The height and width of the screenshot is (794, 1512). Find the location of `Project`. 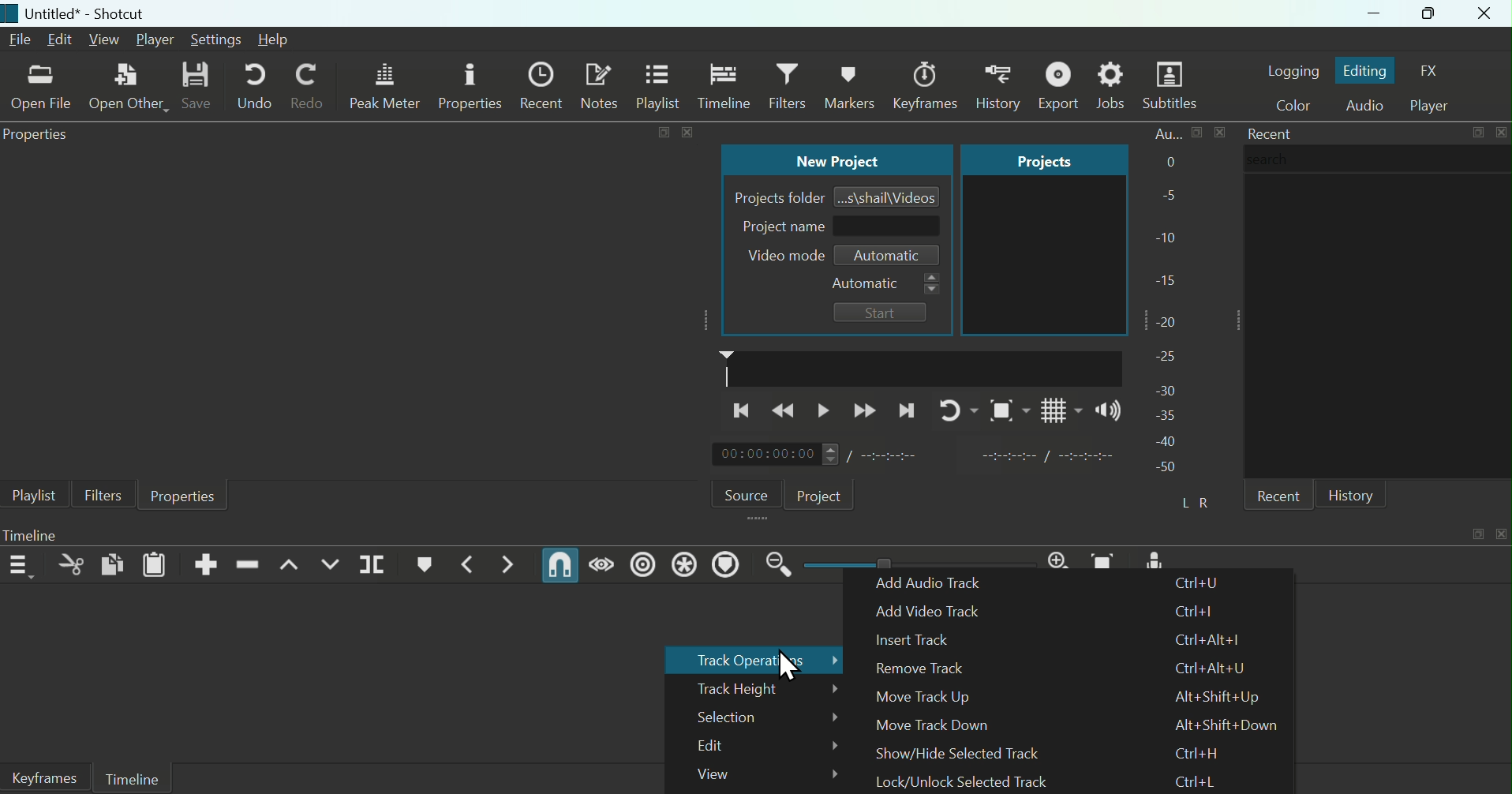

Project is located at coordinates (821, 493).